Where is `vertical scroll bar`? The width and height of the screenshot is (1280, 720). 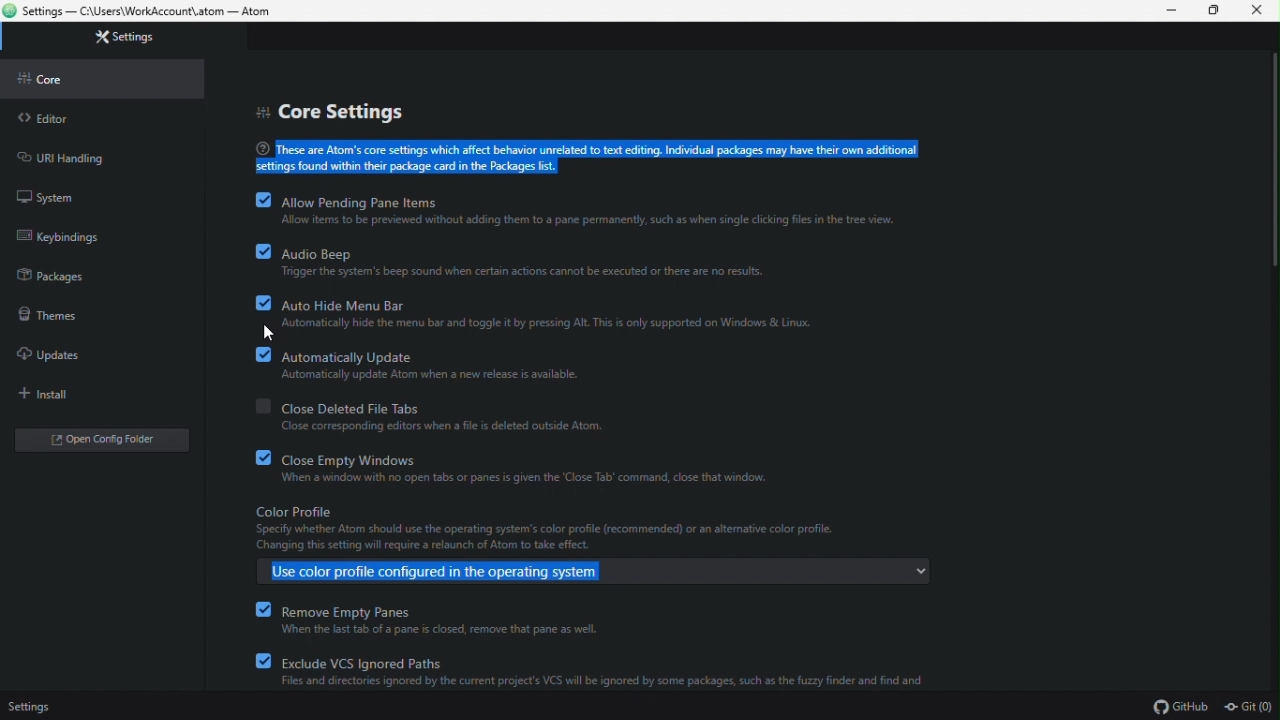 vertical scroll bar is located at coordinates (1267, 158).